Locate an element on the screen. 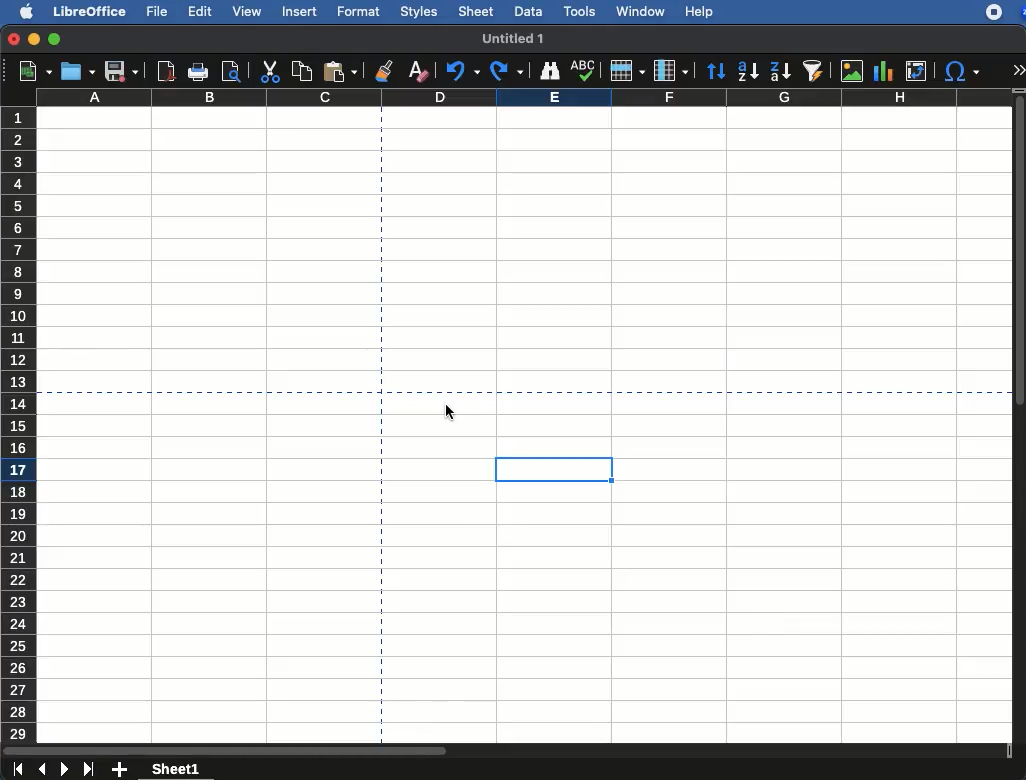 The width and height of the screenshot is (1026, 780). cursor is located at coordinates (450, 414).